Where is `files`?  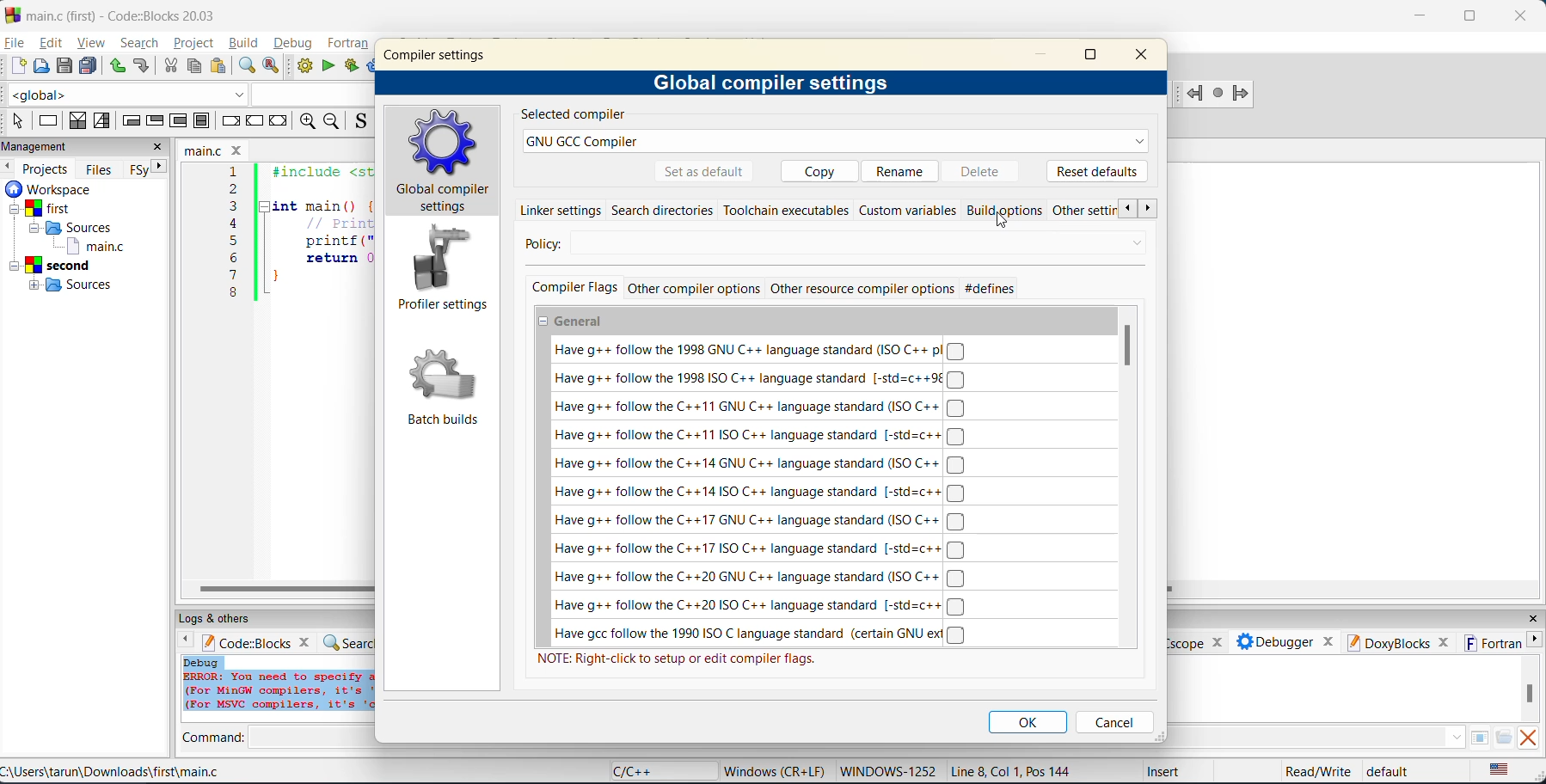
files is located at coordinates (101, 168).